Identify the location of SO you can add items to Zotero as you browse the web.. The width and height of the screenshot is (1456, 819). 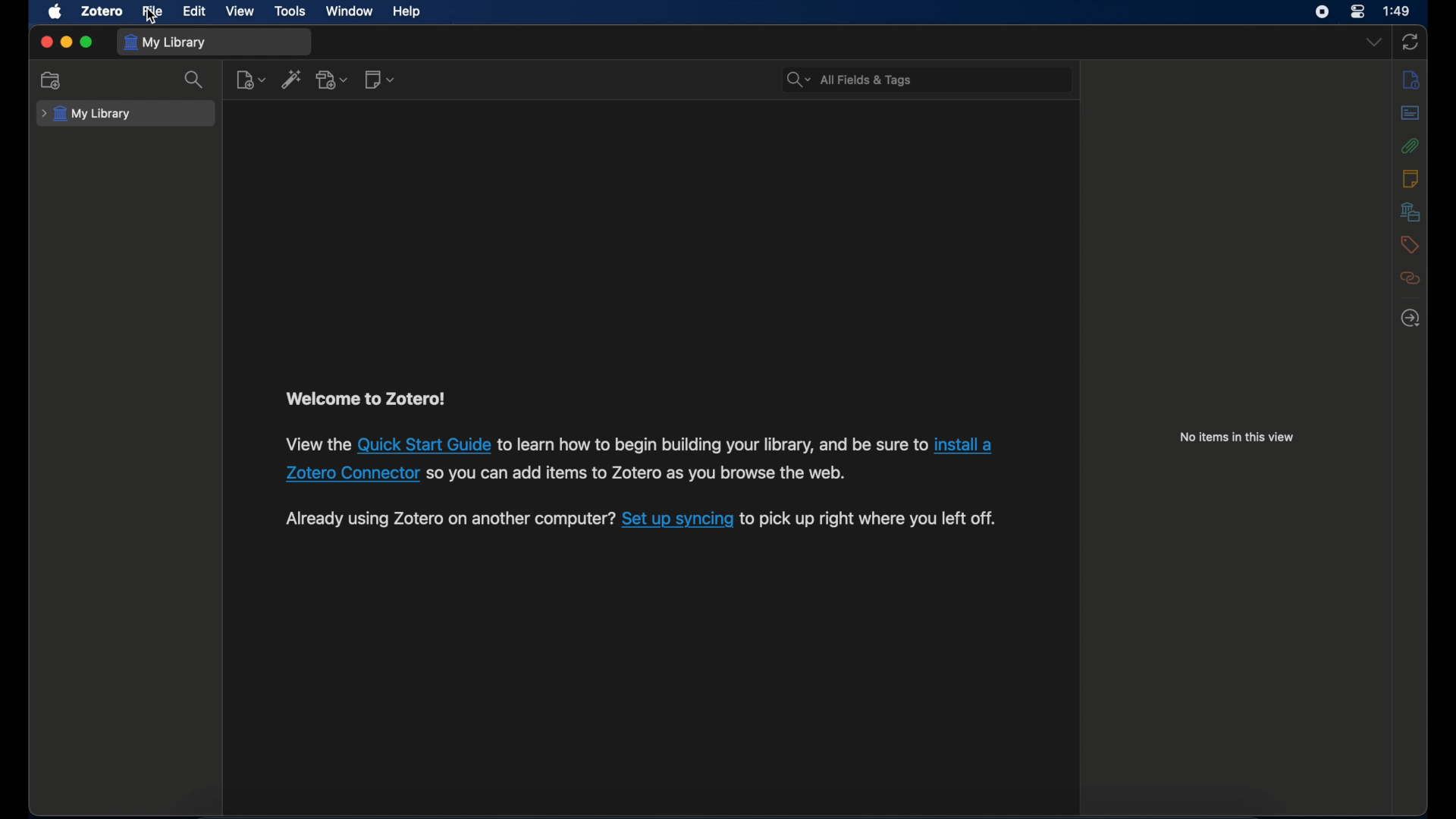
(637, 475).